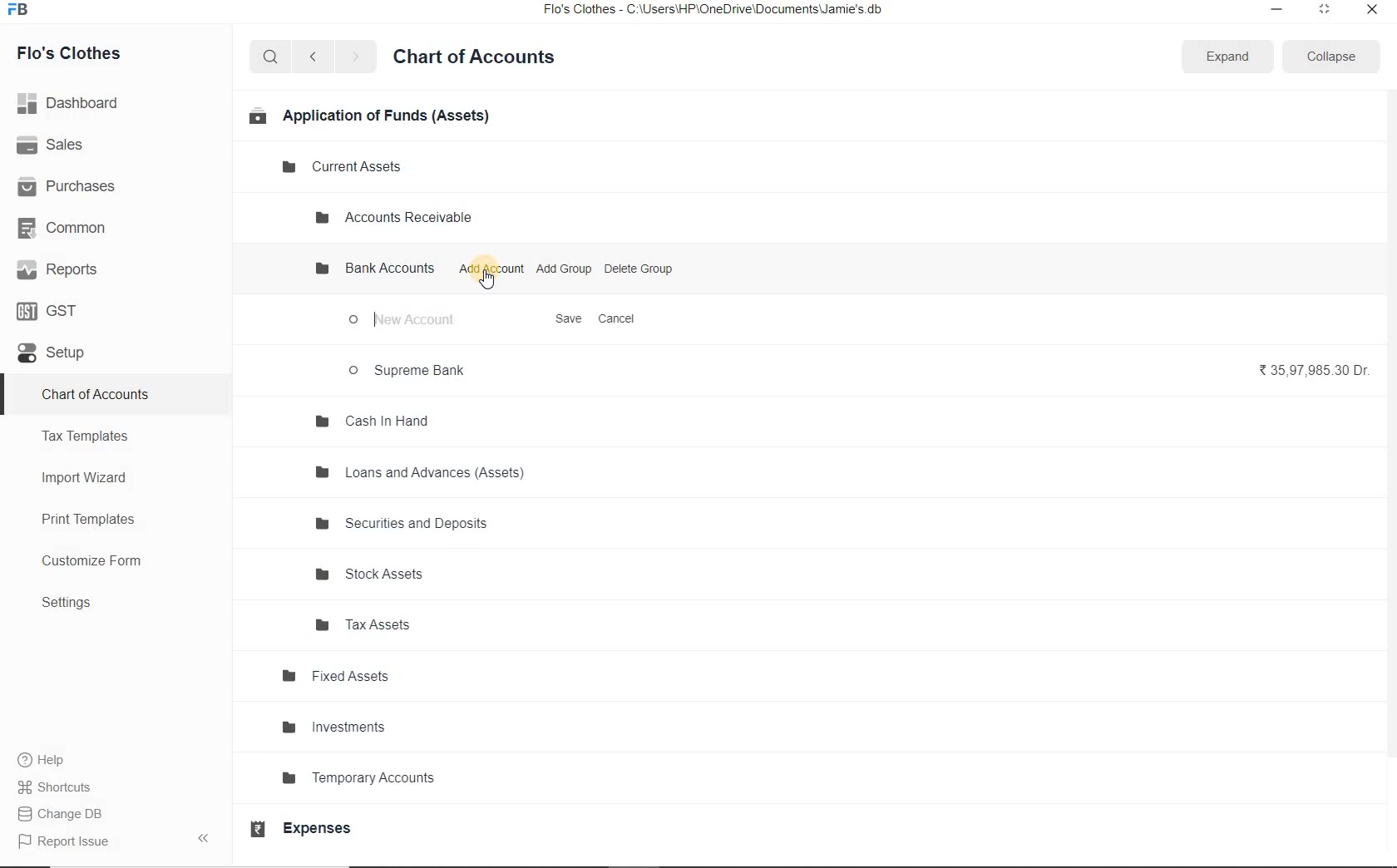 This screenshot has height=868, width=1397. What do you see at coordinates (22, 12) in the screenshot?
I see `Frappe Books logo` at bounding box center [22, 12].